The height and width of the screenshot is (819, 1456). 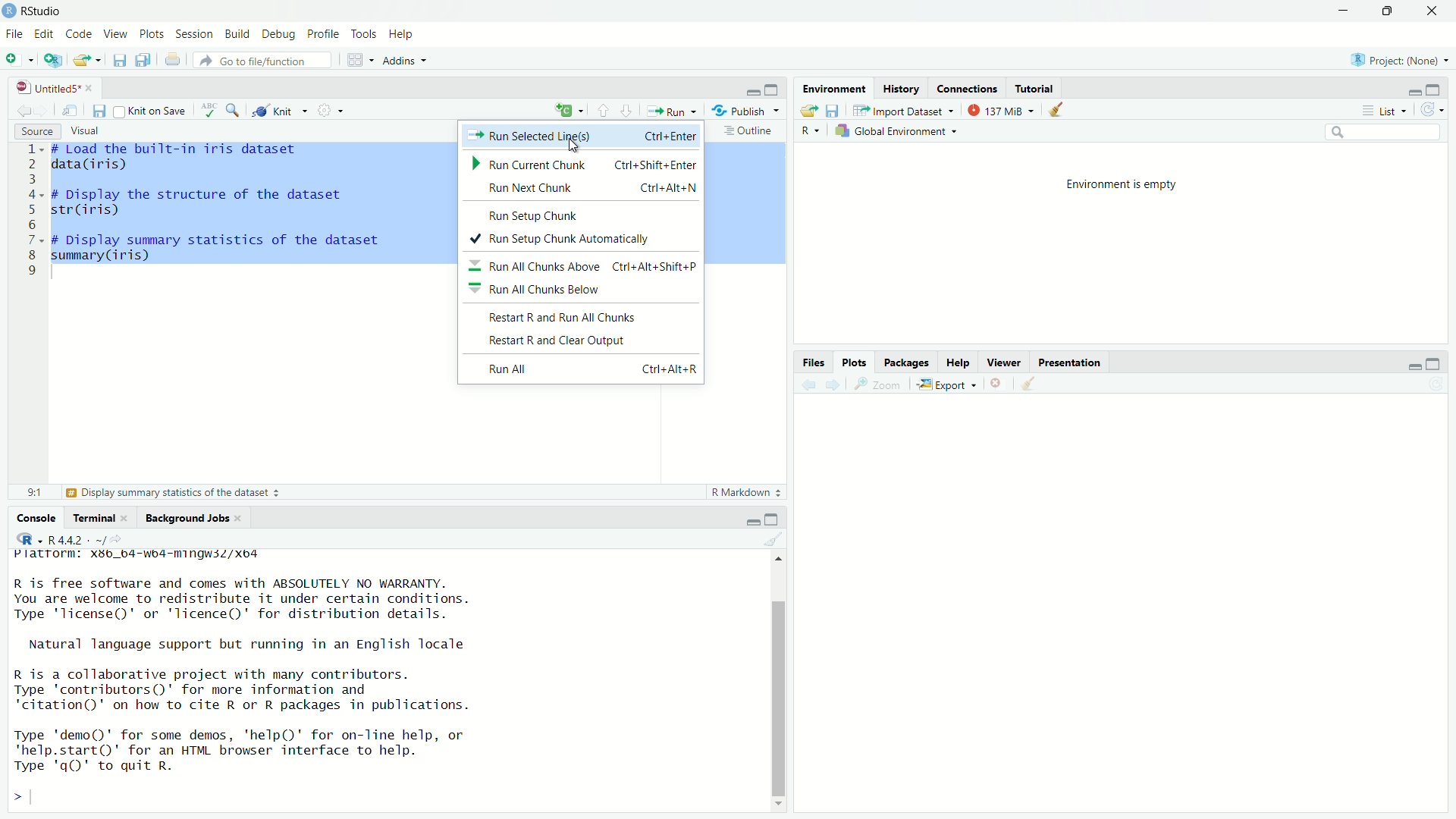 I want to click on Knit, so click(x=279, y=111).